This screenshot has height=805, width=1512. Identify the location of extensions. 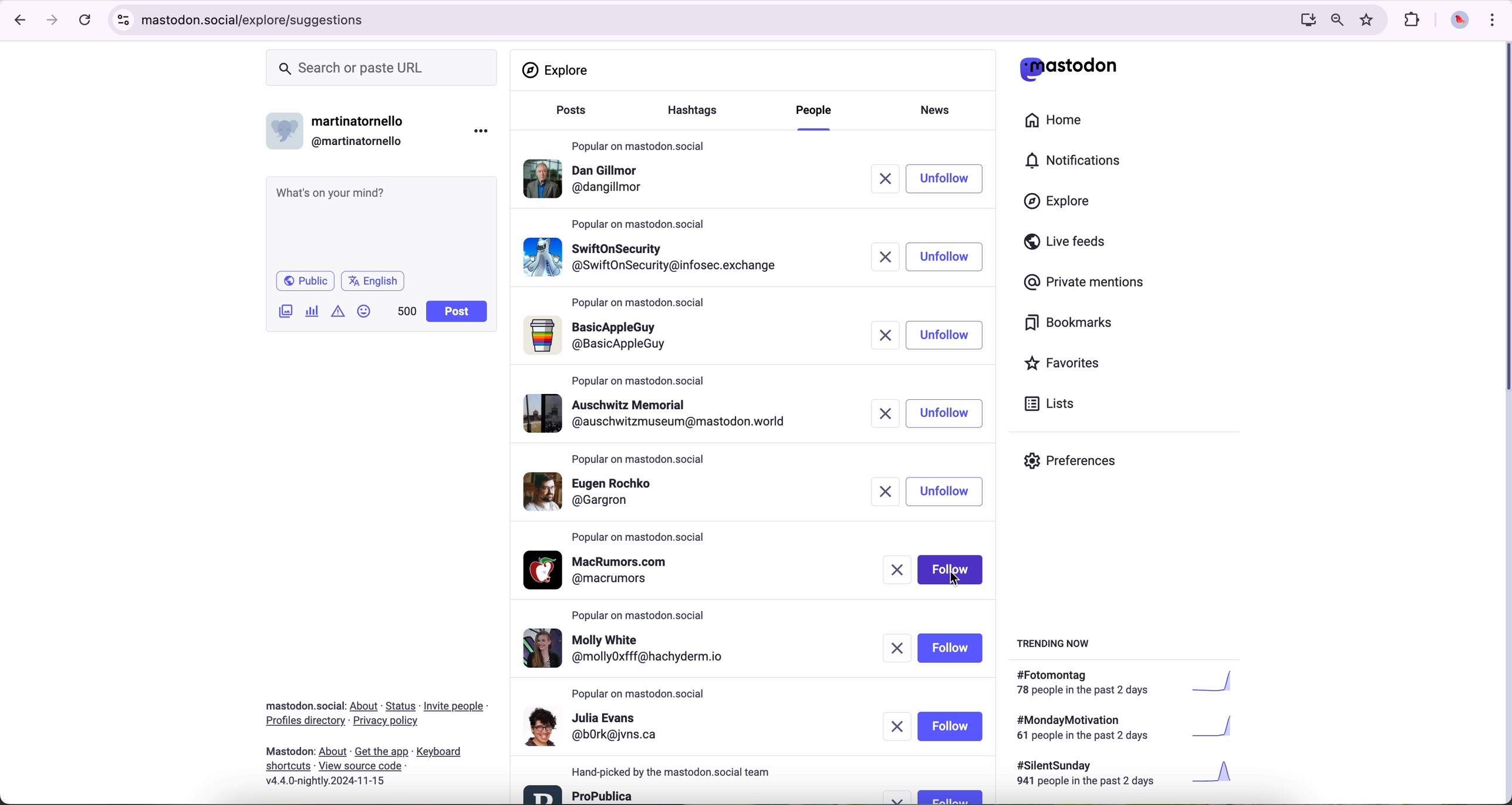
(1413, 20).